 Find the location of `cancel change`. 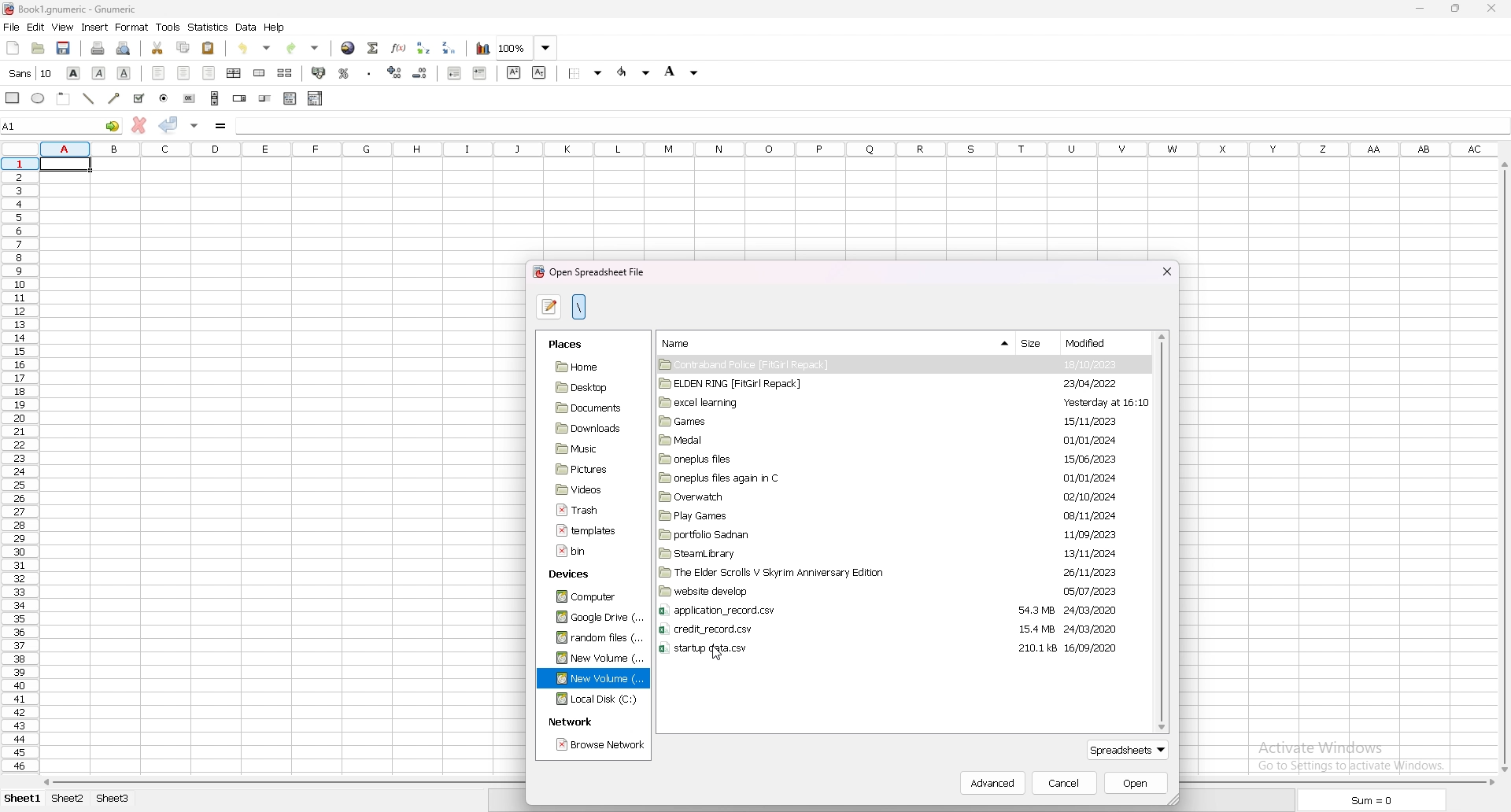

cancel change is located at coordinates (139, 124).